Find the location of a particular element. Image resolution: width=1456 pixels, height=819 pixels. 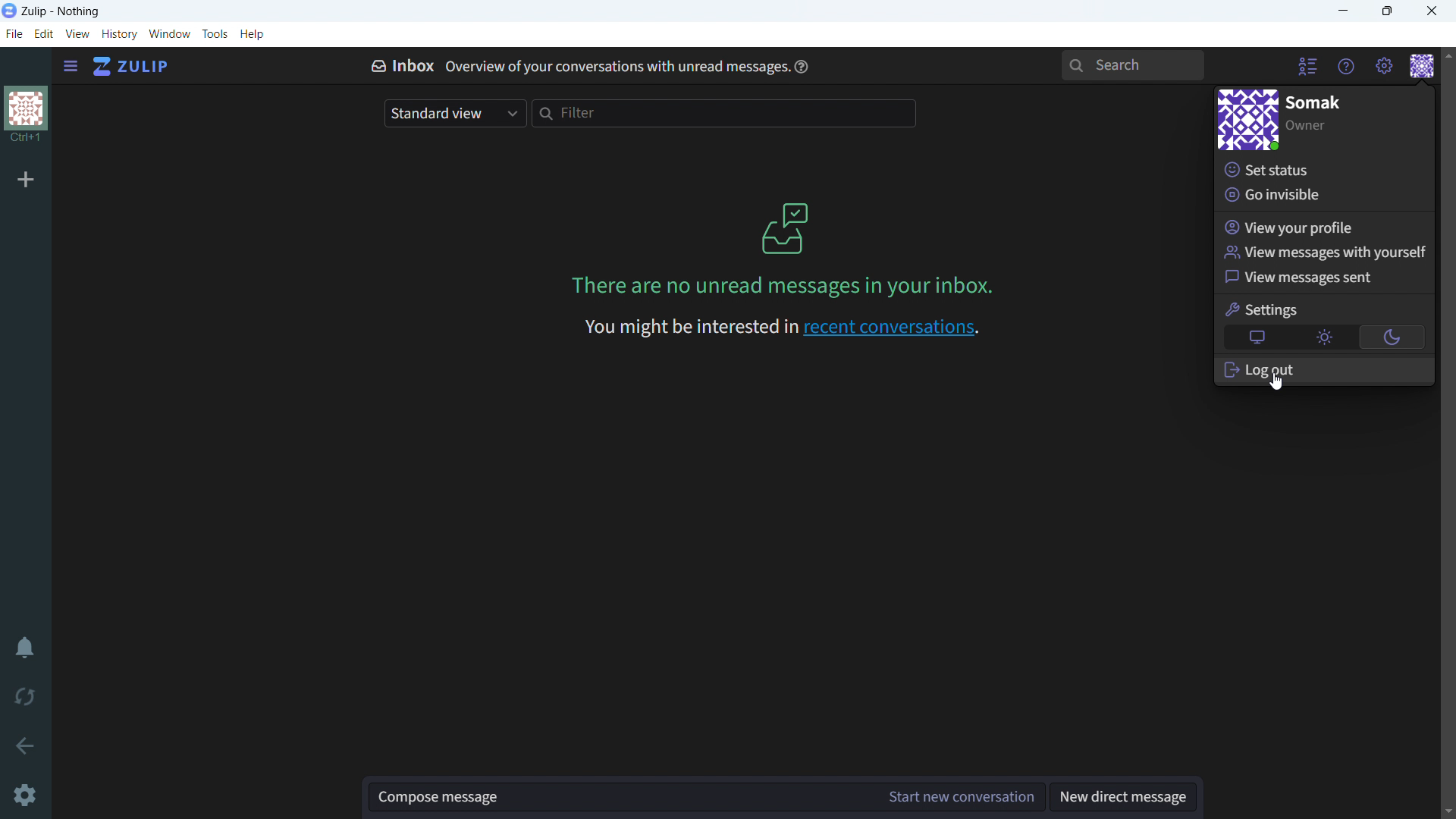

light theme is located at coordinates (1323, 337).